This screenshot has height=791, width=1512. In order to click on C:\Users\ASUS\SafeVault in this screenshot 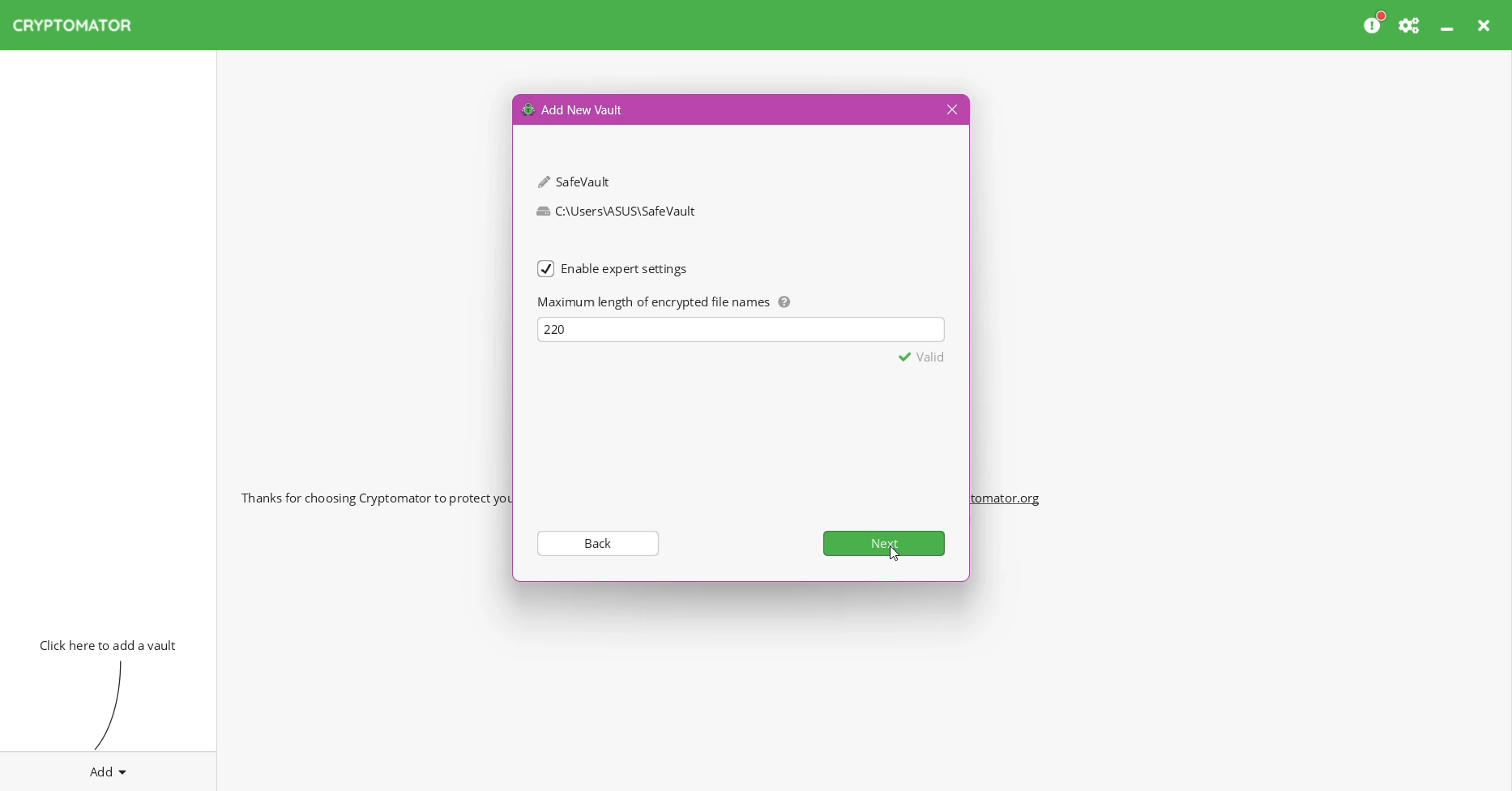, I will do `click(617, 212)`.